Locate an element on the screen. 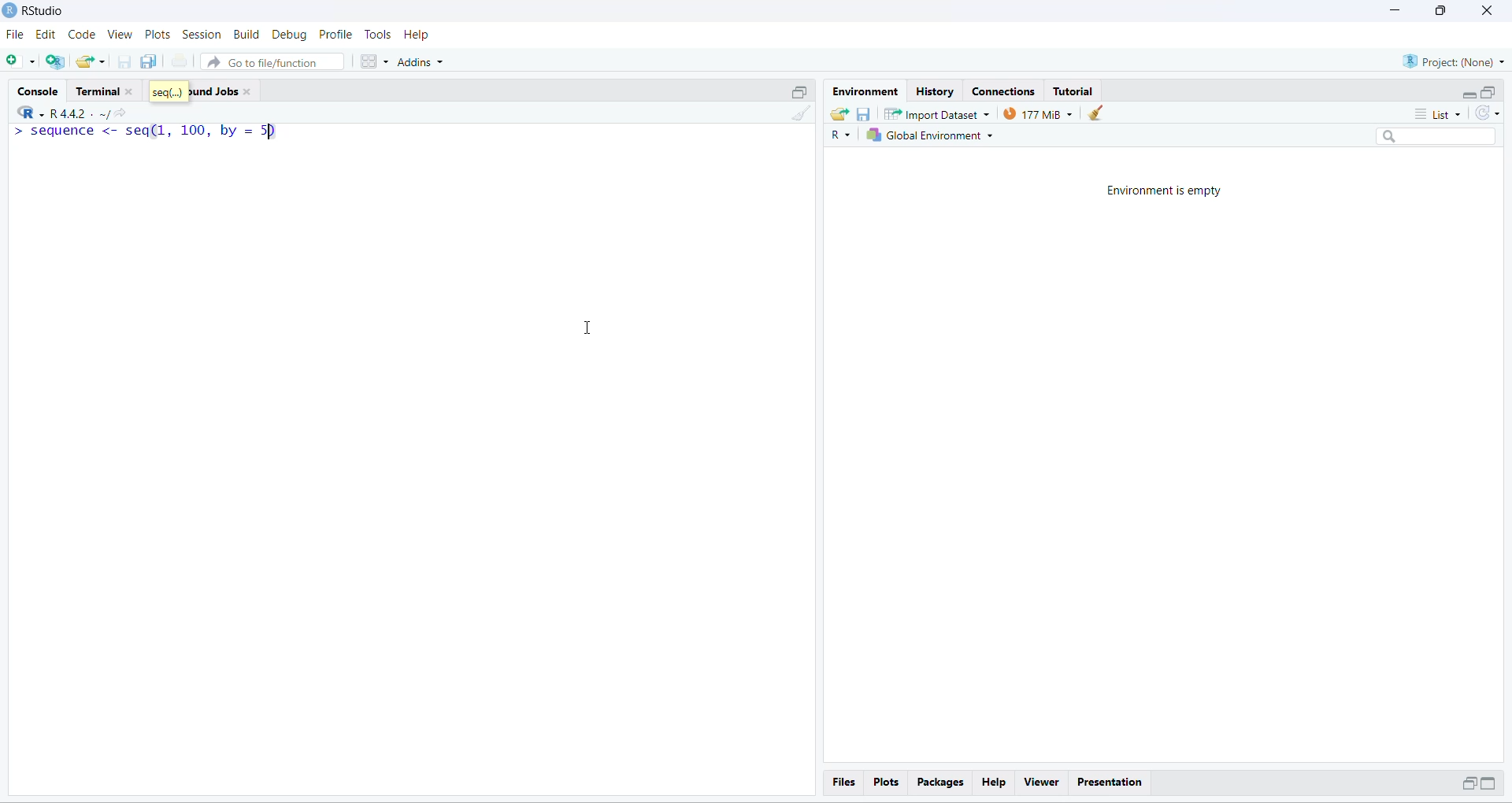 The image size is (1512, 803). edit is located at coordinates (46, 35).